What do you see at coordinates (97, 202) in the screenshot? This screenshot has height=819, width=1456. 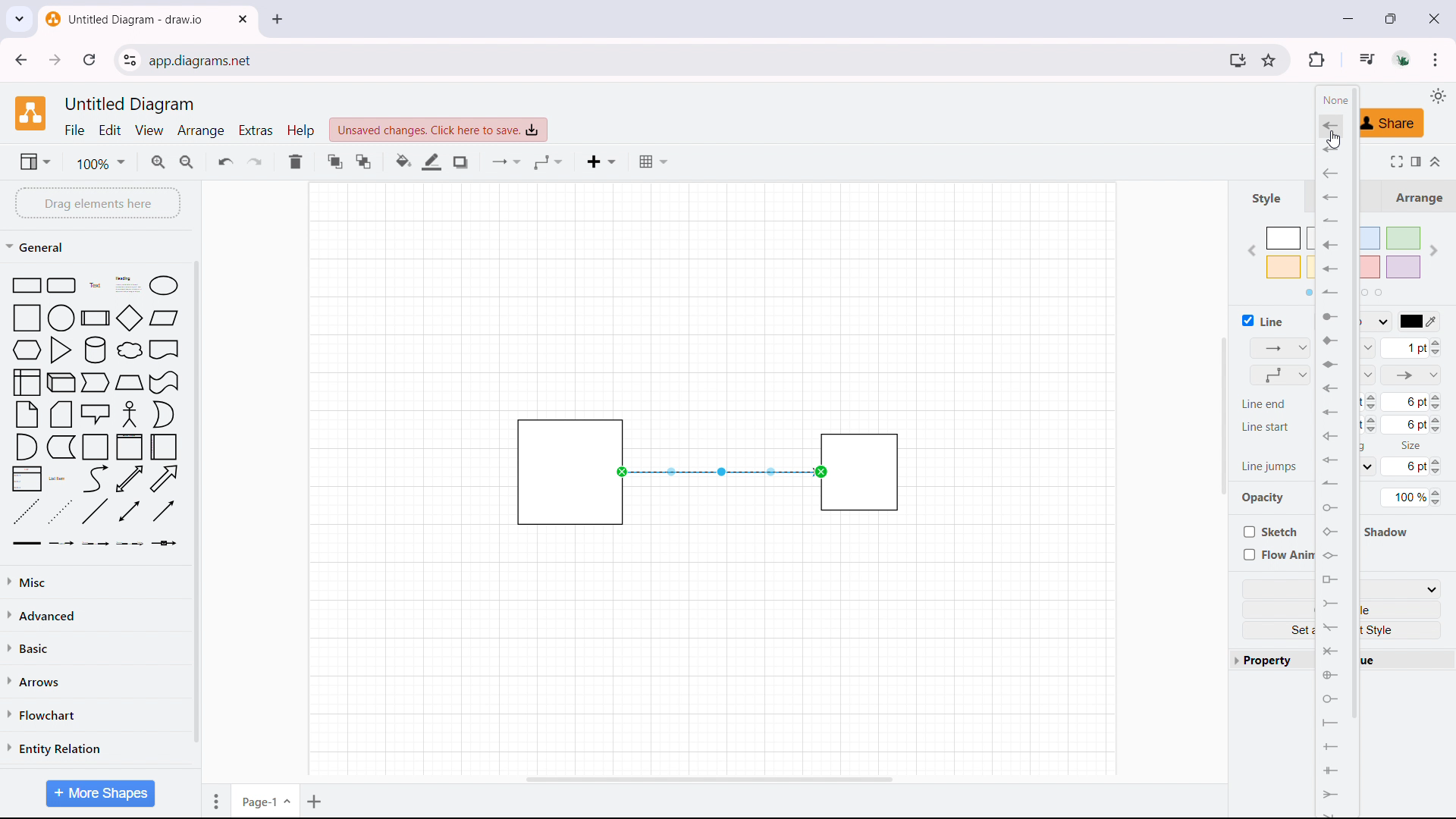 I see `drag elements here` at bounding box center [97, 202].